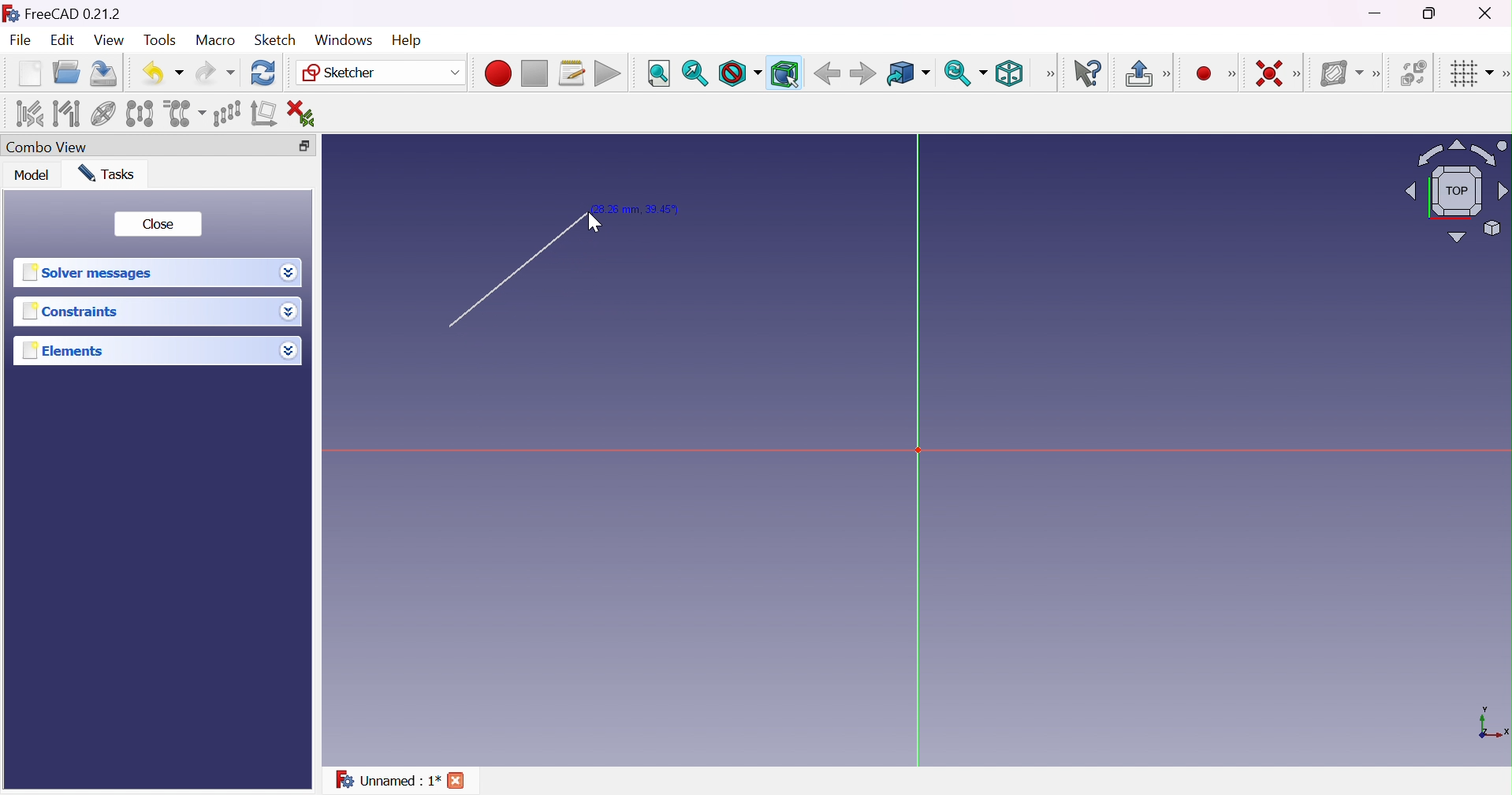  What do you see at coordinates (1376, 15) in the screenshot?
I see `Minimize` at bounding box center [1376, 15].